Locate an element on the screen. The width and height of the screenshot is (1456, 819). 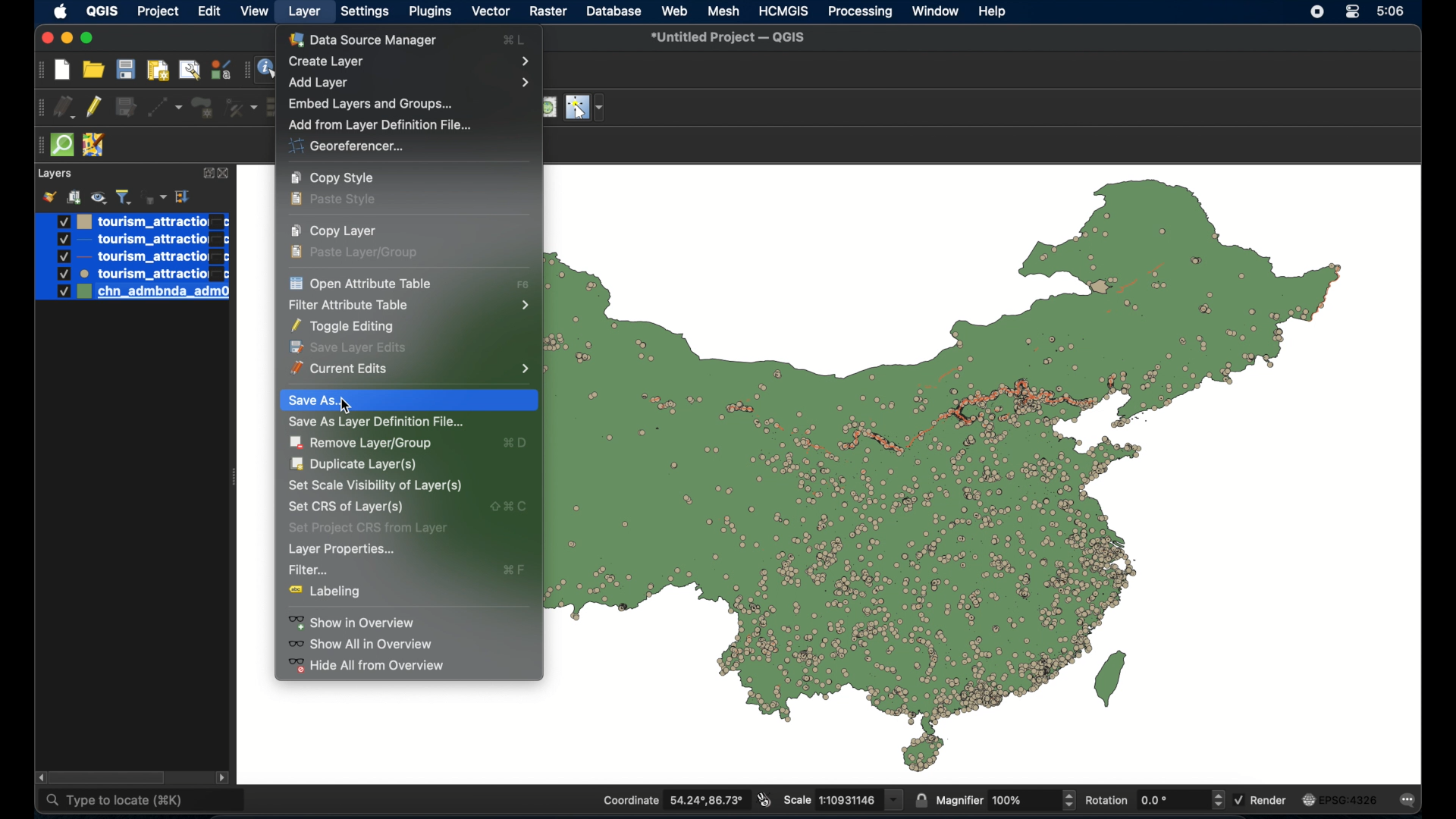
set project CRS from layer is located at coordinates (368, 529).